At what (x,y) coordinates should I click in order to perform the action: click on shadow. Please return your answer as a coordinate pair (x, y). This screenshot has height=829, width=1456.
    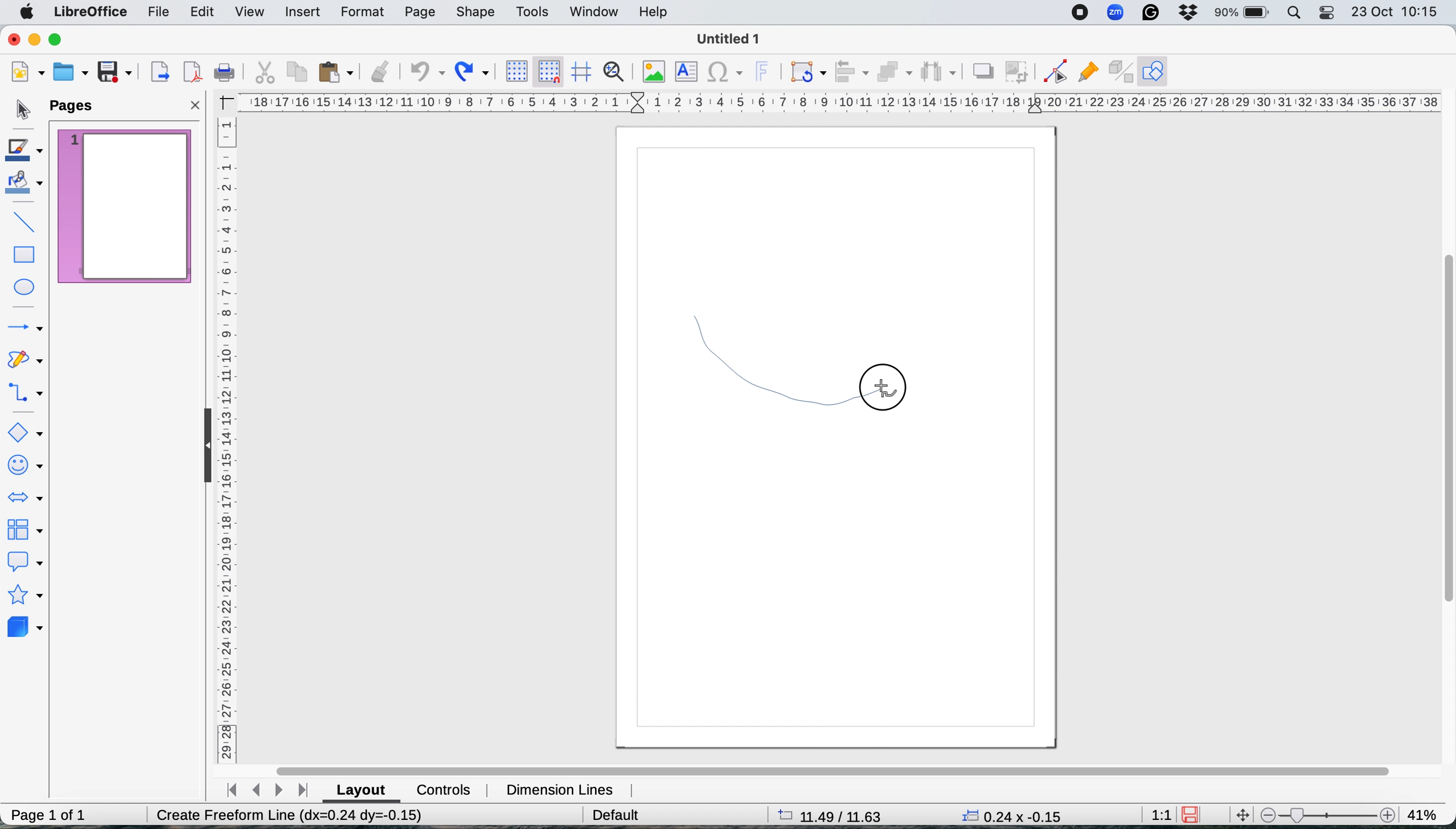
    Looking at the image, I should click on (984, 72).